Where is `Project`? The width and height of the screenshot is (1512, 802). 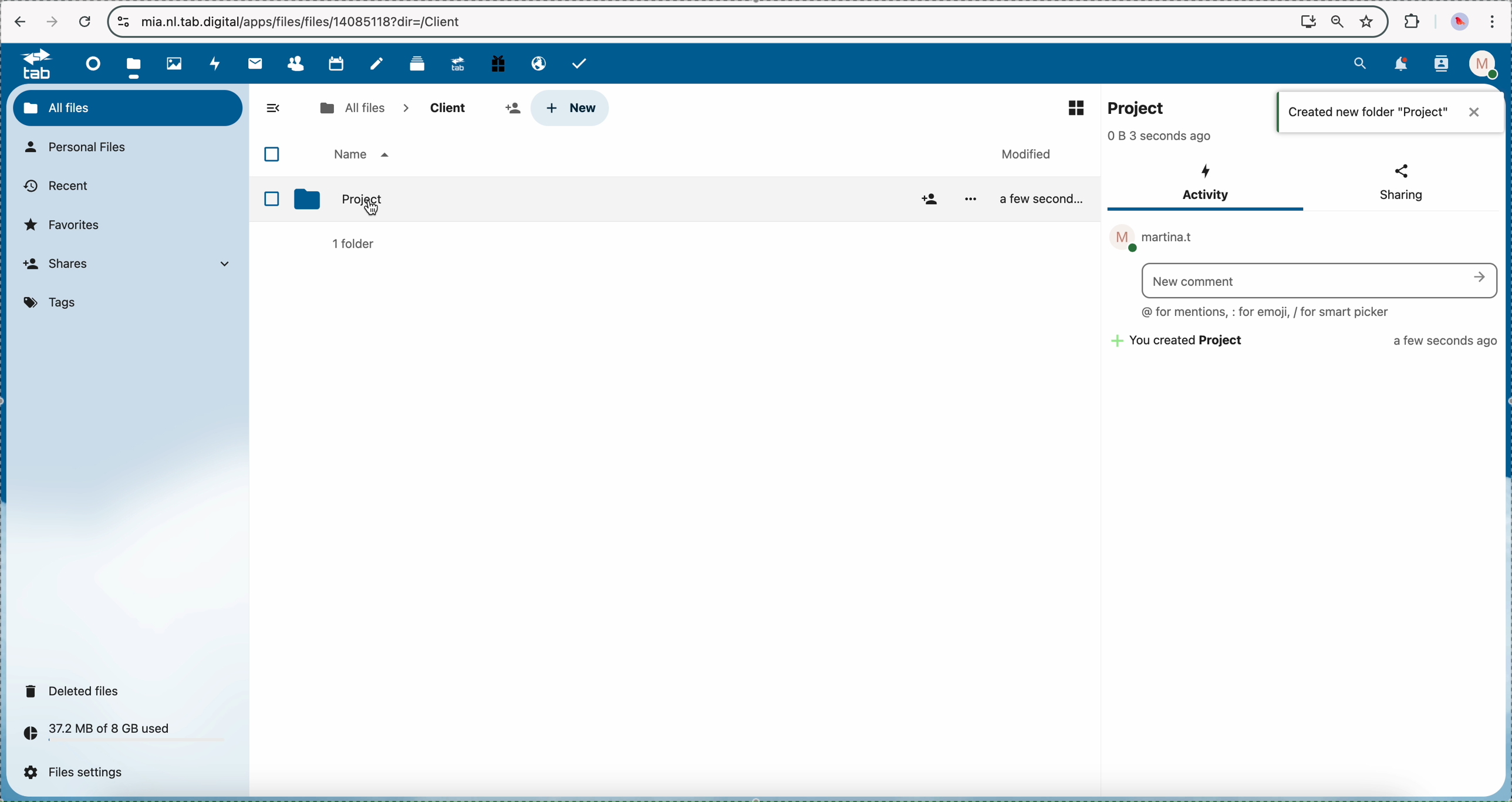
Project is located at coordinates (359, 200).